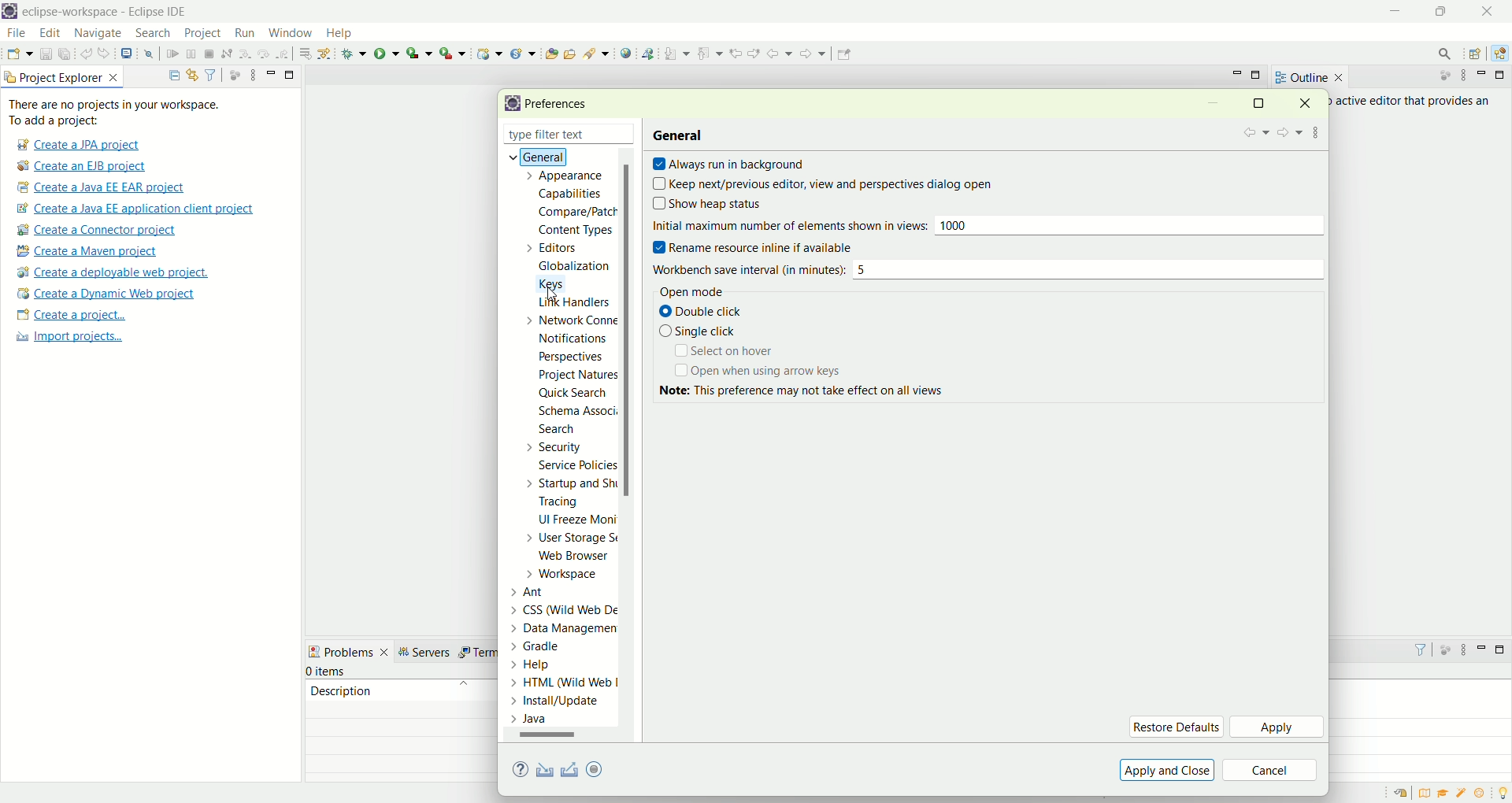  What do you see at coordinates (698, 331) in the screenshot?
I see `single click` at bounding box center [698, 331].